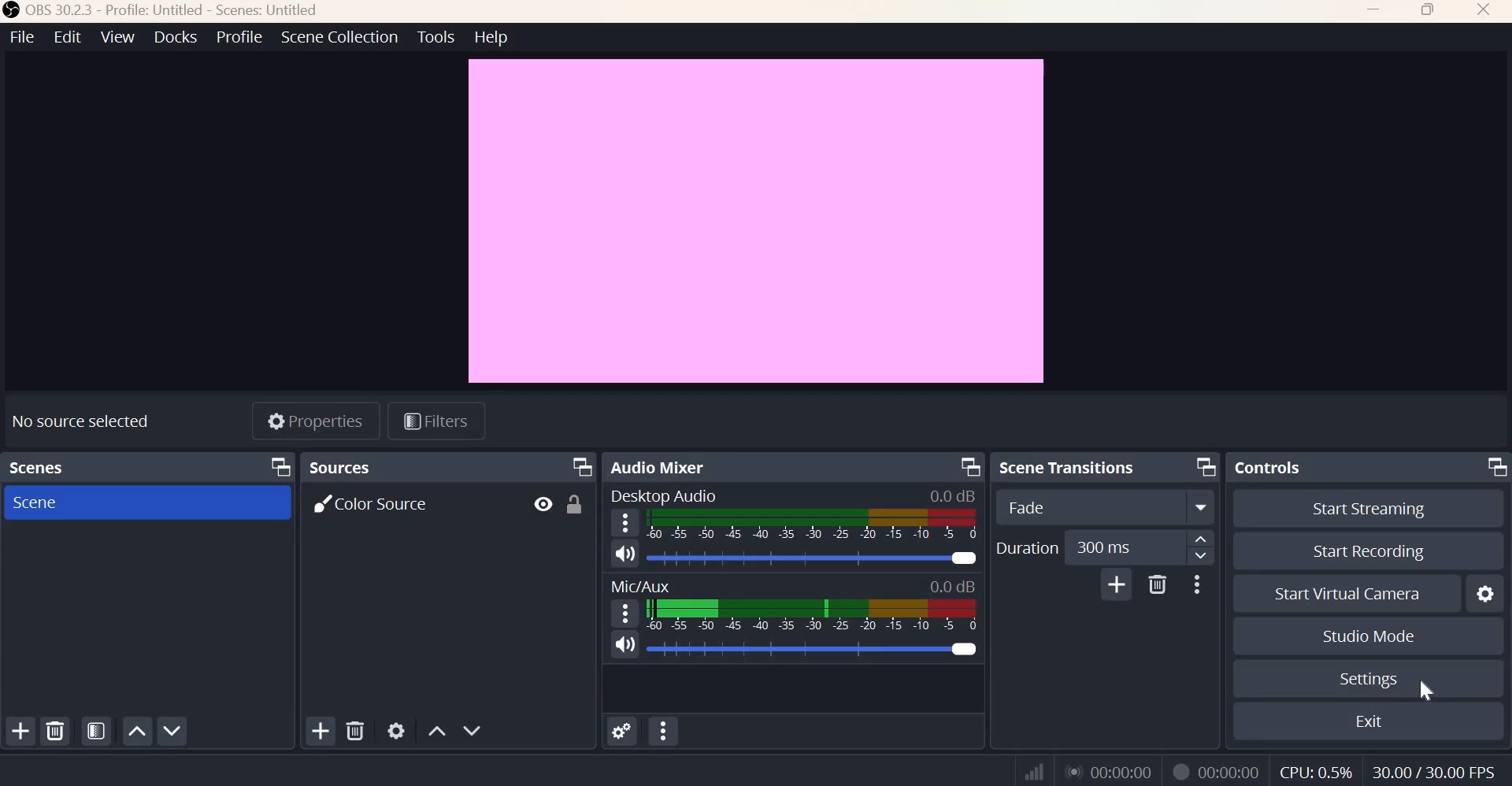 The image size is (1512, 786). Describe the element at coordinates (397, 729) in the screenshot. I see `Open source properties` at that location.